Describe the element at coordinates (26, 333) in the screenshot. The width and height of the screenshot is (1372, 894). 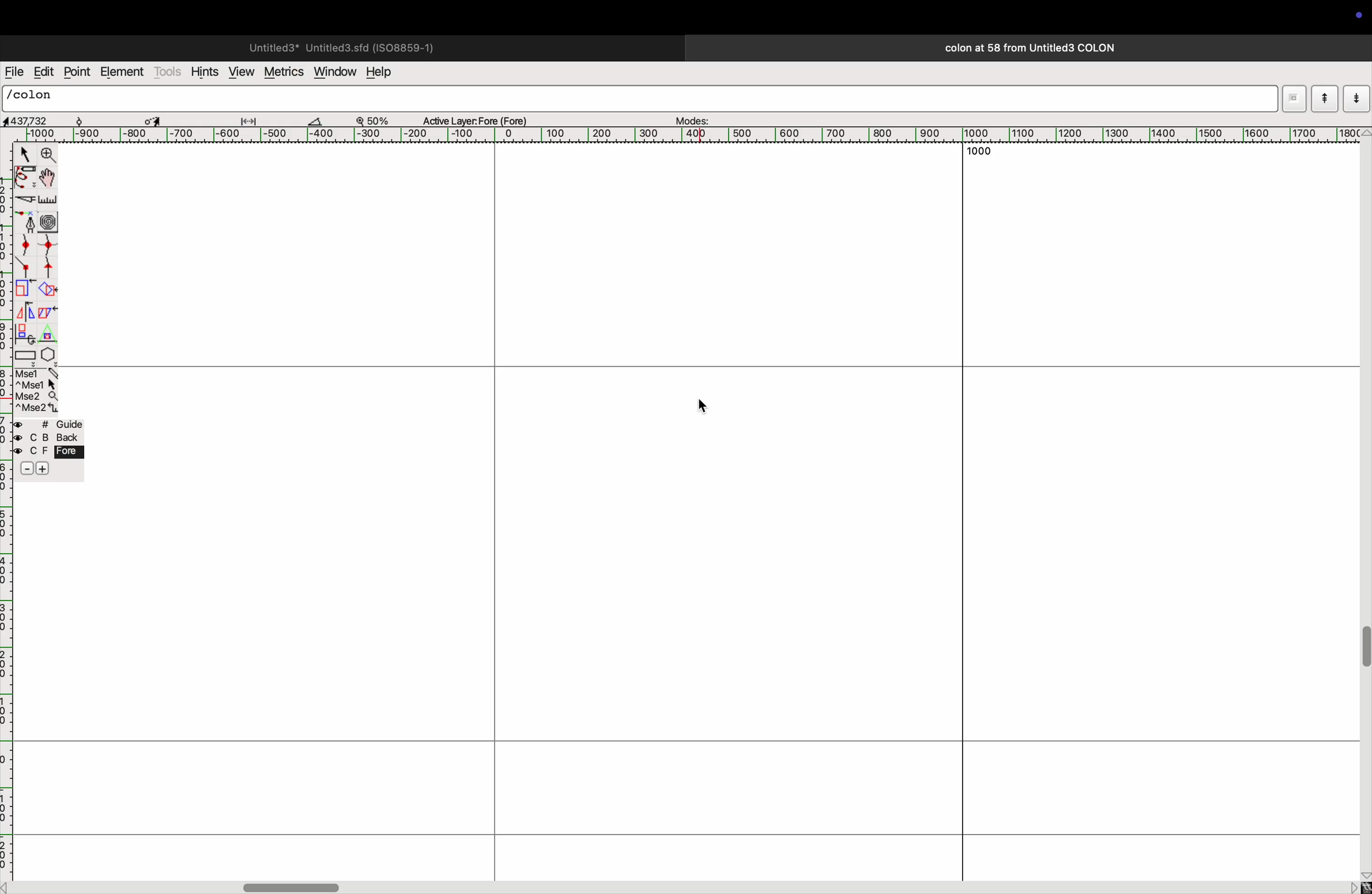
I see `clone` at that location.